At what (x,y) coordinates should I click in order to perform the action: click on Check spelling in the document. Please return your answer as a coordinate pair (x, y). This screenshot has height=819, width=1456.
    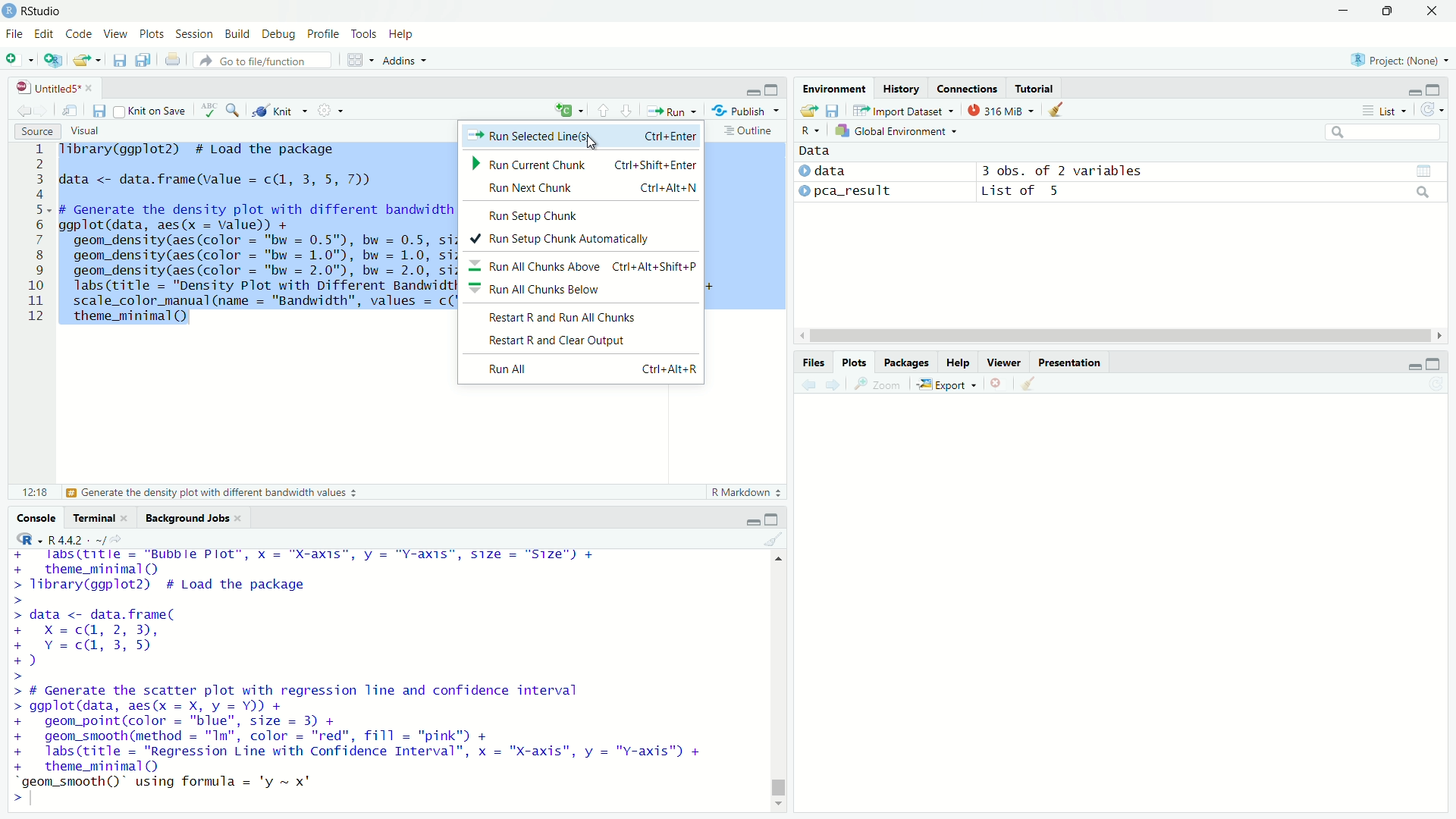
    Looking at the image, I should click on (209, 109).